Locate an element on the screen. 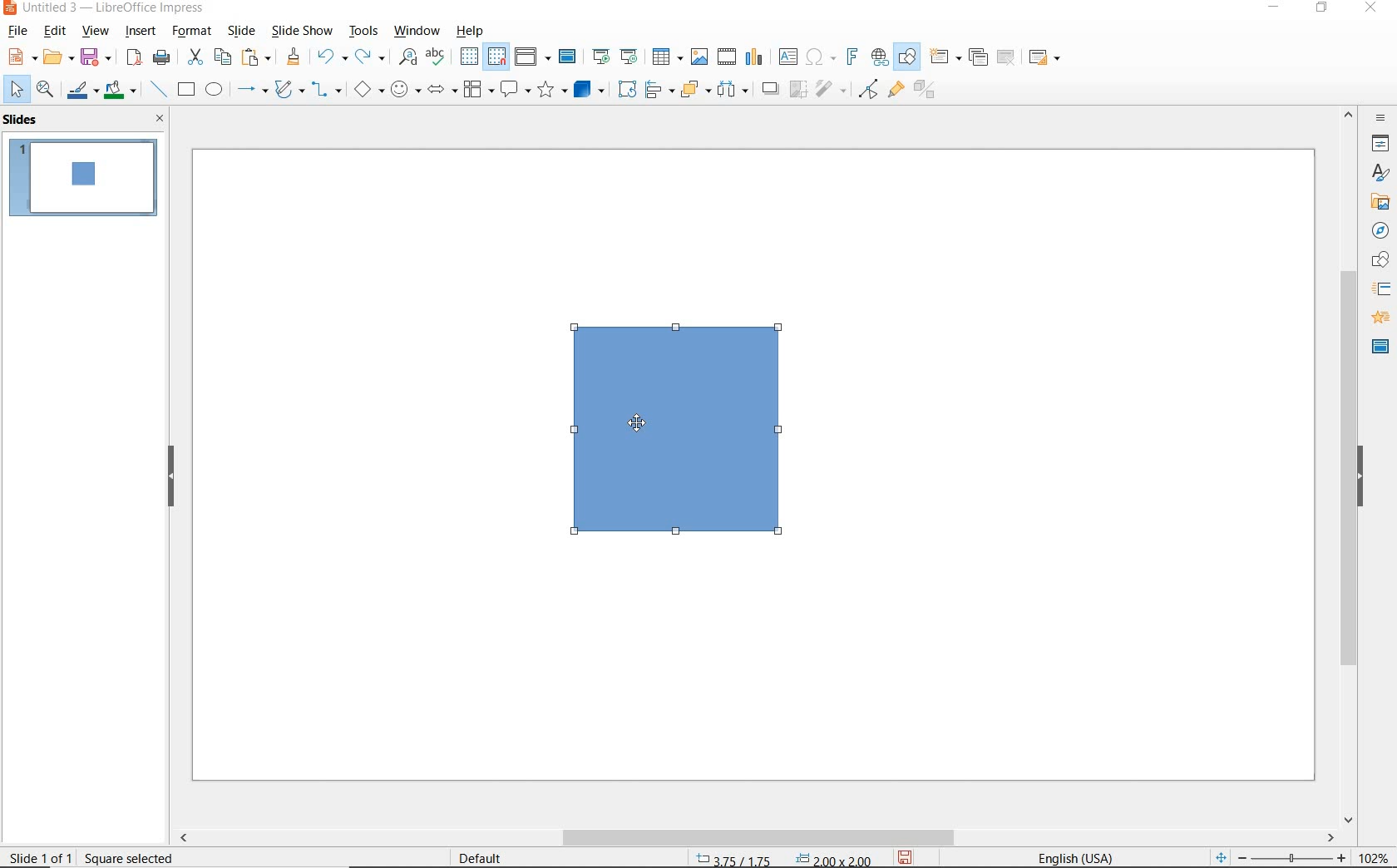 This screenshot has width=1397, height=868. redo is located at coordinates (370, 58).